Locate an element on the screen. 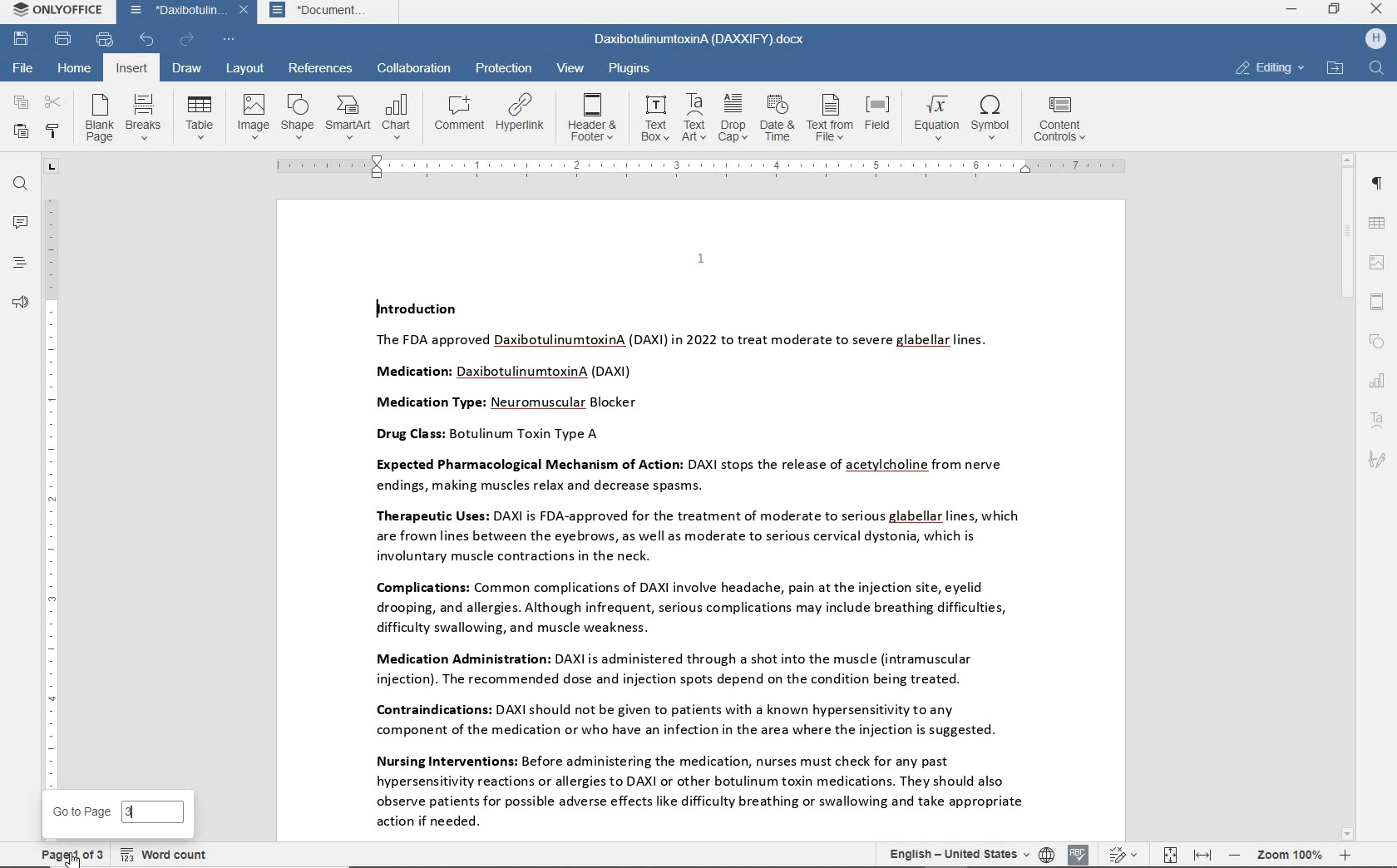 The image size is (1397, 868). comments is located at coordinates (20, 223).